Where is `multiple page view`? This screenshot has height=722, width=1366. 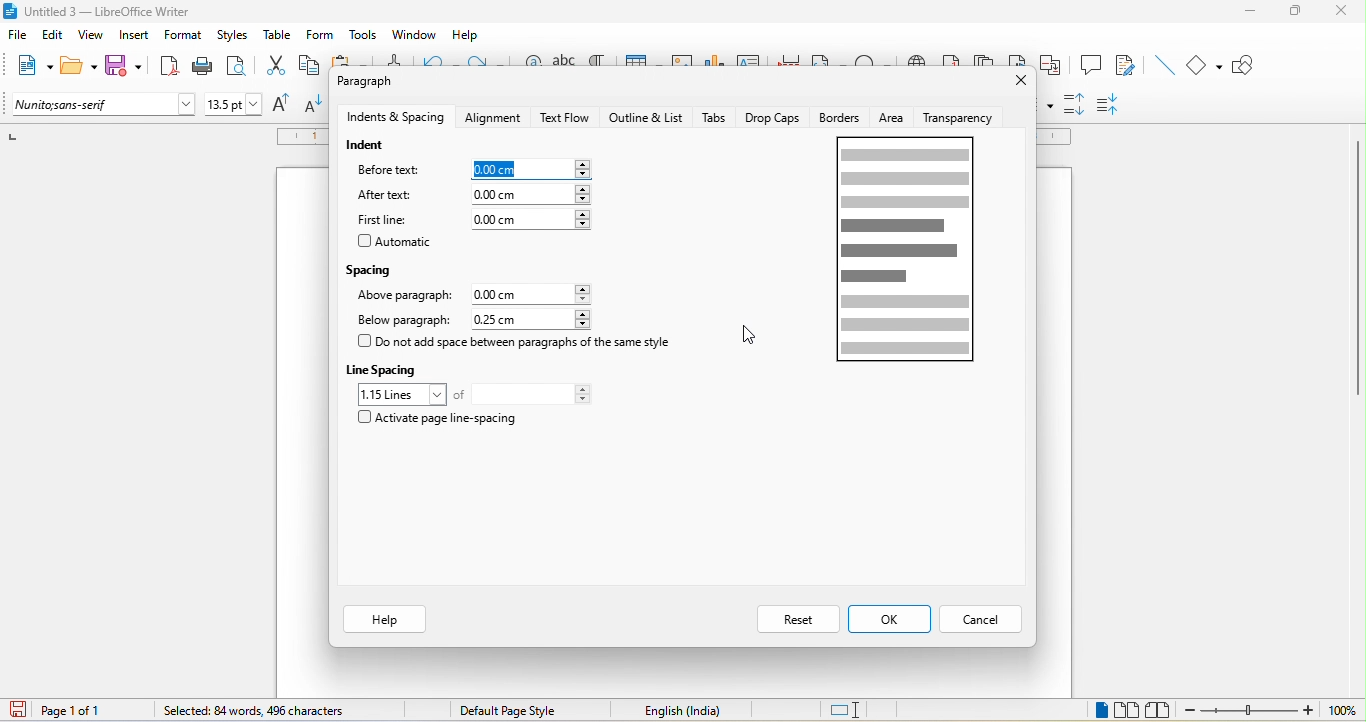
multiple page view is located at coordinates (1127, 711).